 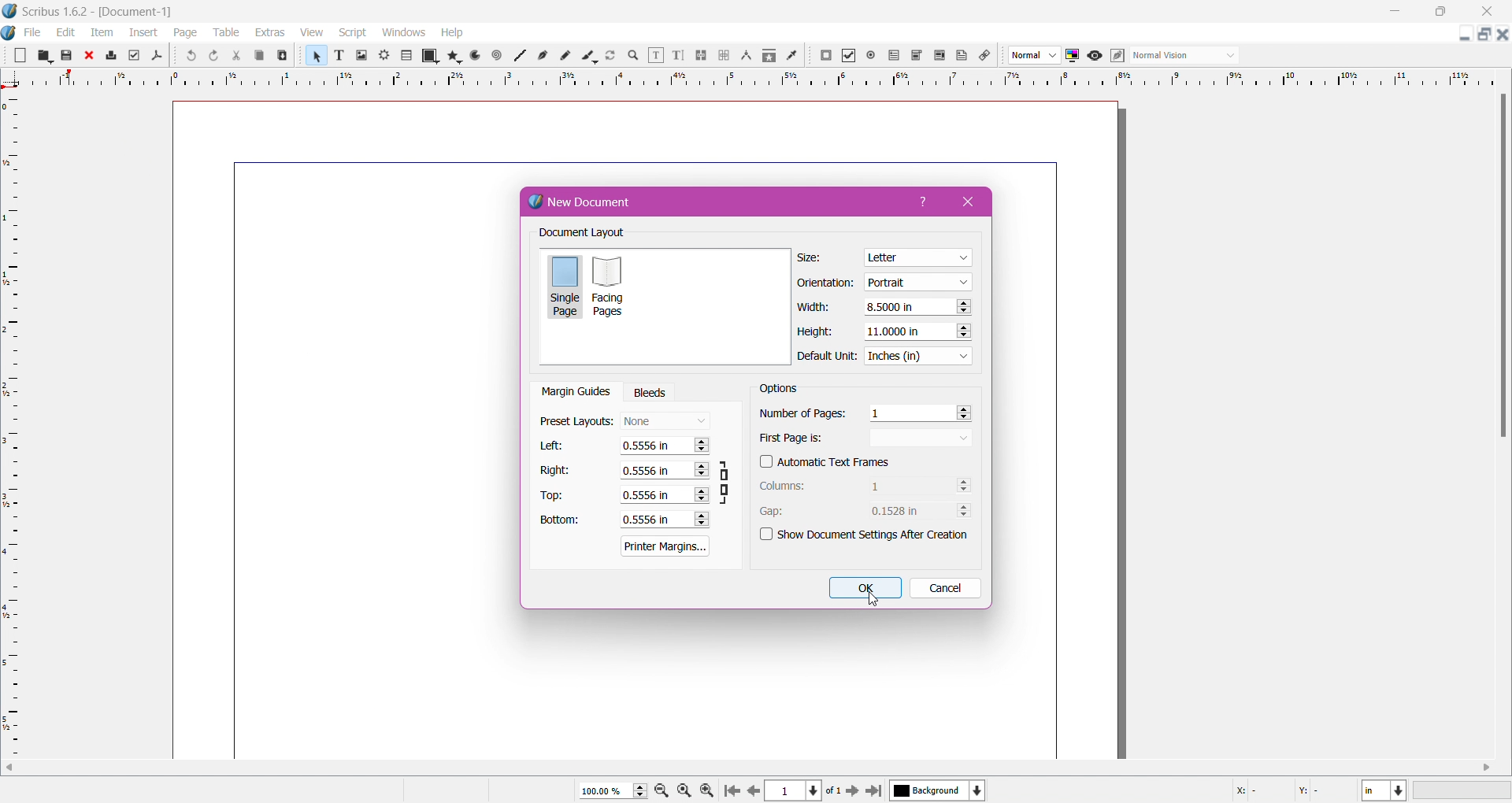 I want to click on Portrait v, so click(x=921, y=283).